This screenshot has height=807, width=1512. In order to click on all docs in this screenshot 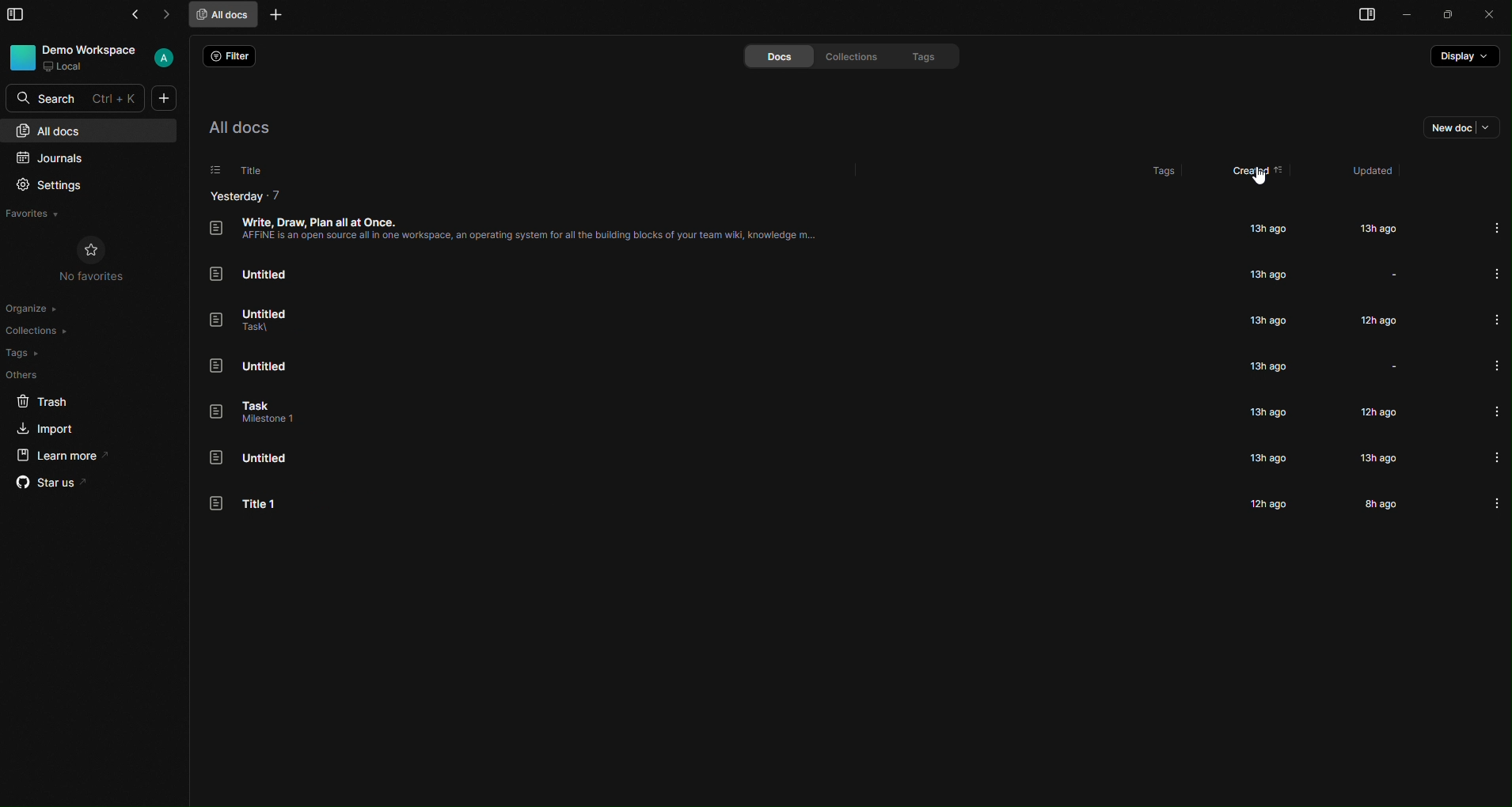, I will do `click(99, 130)`.